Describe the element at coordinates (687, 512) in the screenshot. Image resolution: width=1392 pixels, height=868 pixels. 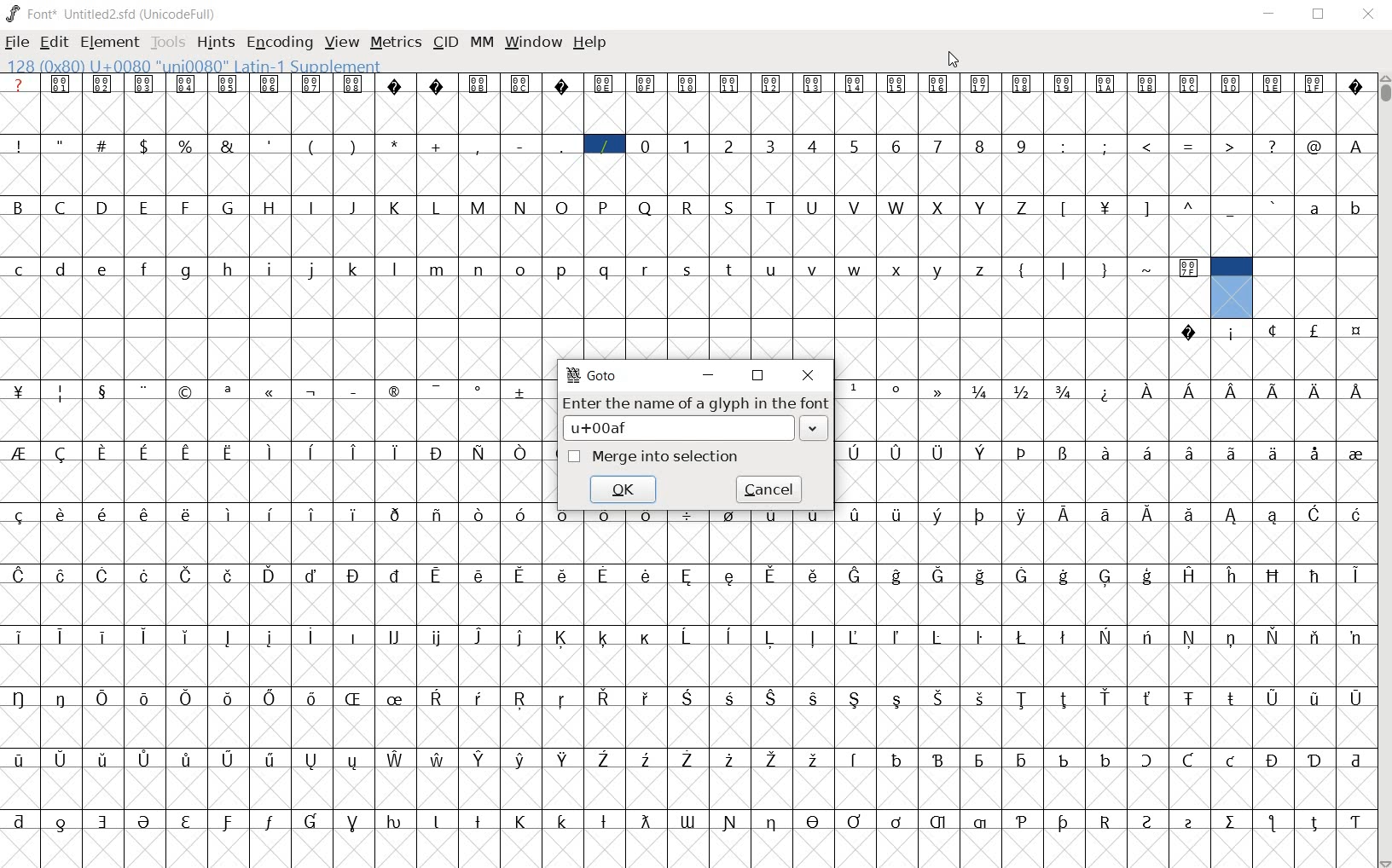
I see `Symbol` at that location.